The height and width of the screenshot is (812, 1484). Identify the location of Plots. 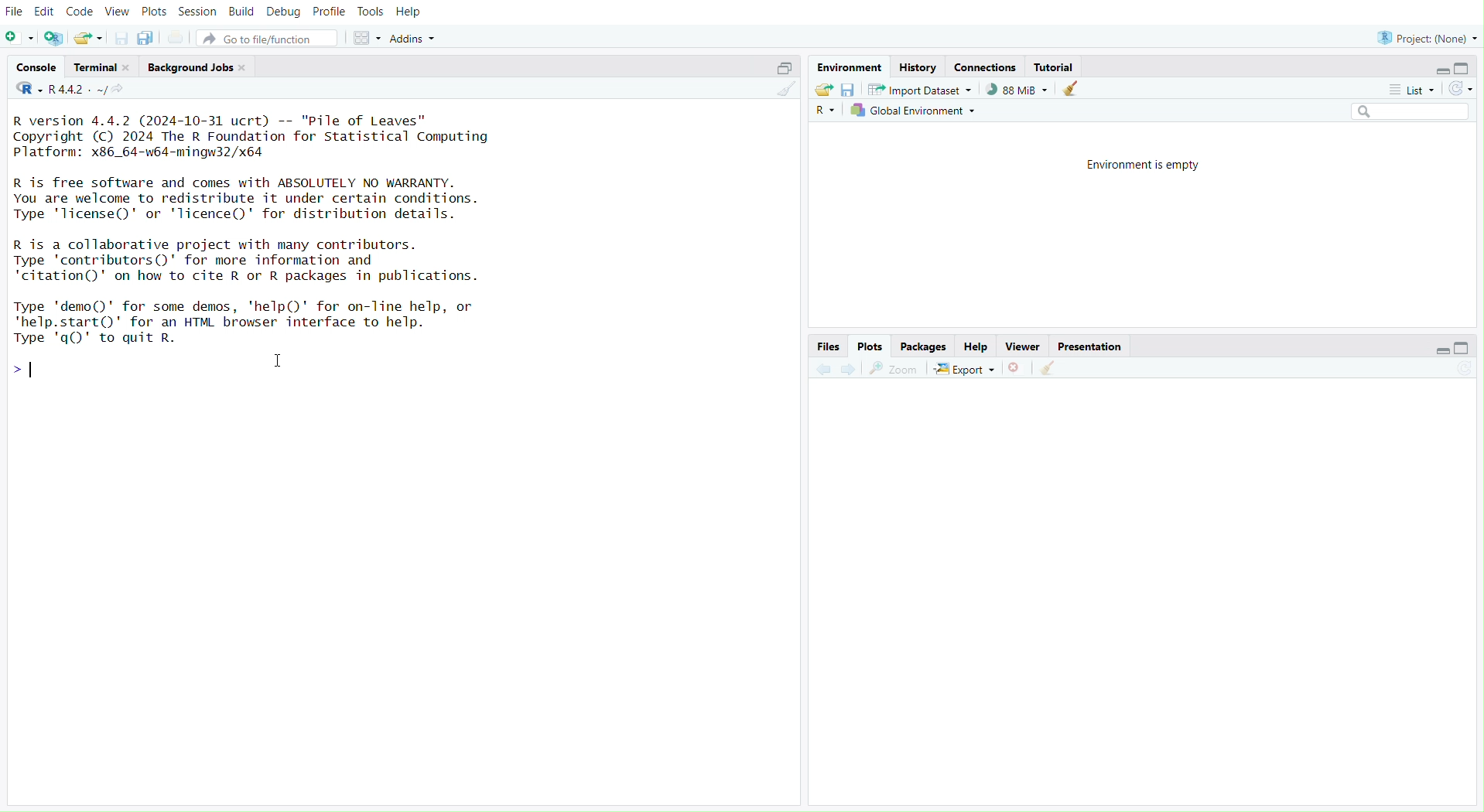
(152, 12).